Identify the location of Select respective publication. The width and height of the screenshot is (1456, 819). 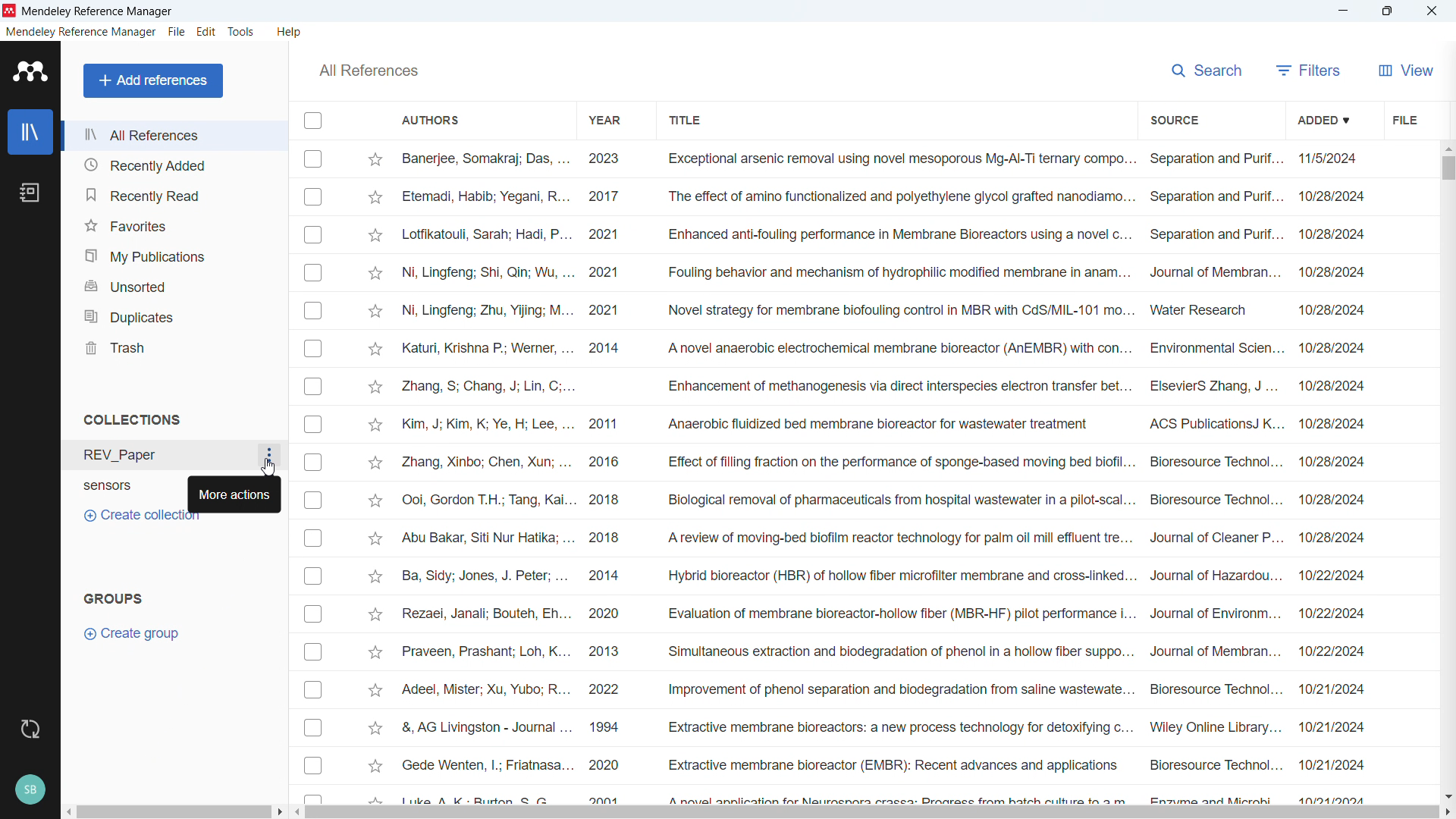
(313, 158).